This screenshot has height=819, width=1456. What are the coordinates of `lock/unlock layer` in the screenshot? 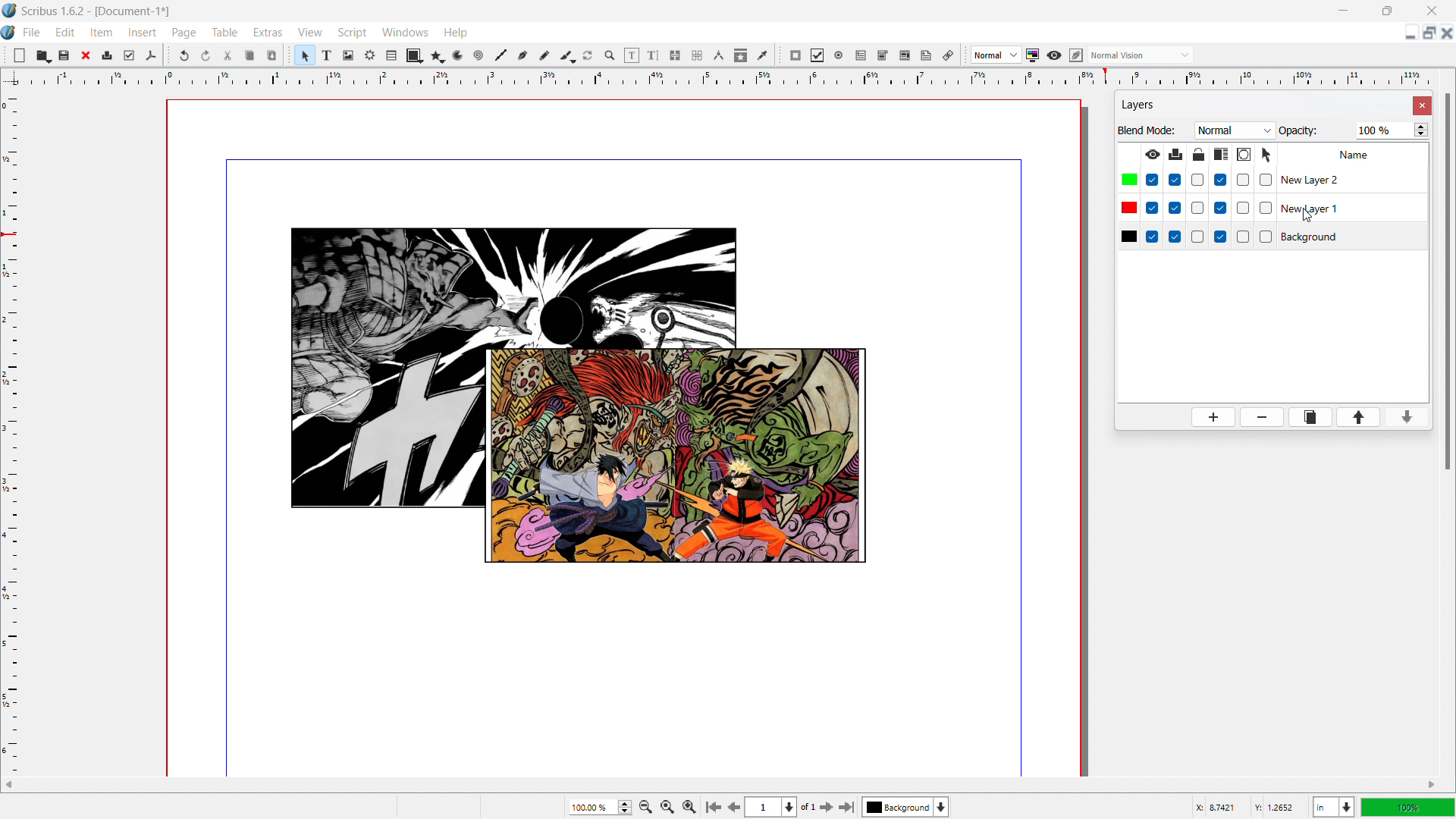 It's located at (1198, 154).